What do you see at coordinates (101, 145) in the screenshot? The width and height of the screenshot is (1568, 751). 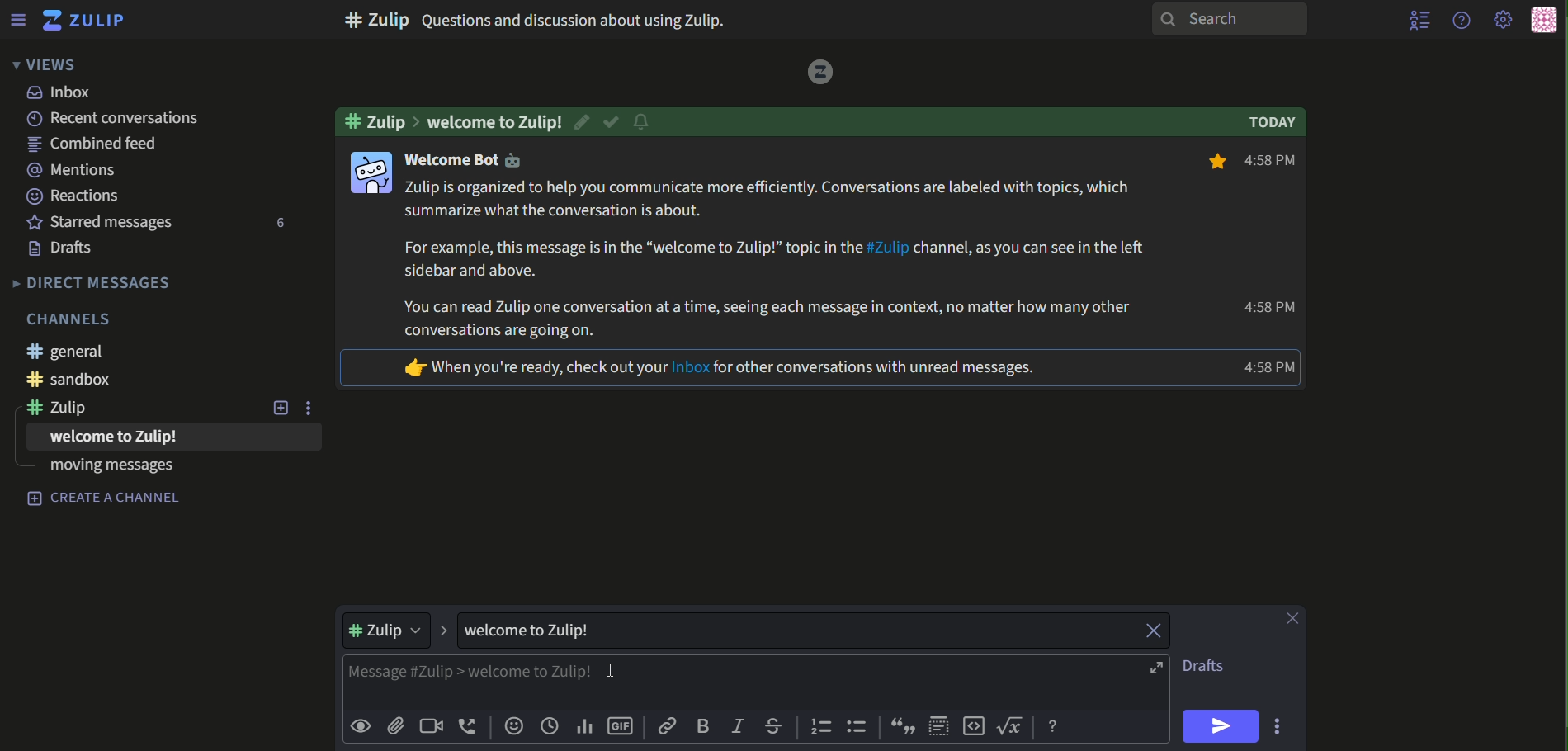 I see `text` at bounding box center [101, 145].